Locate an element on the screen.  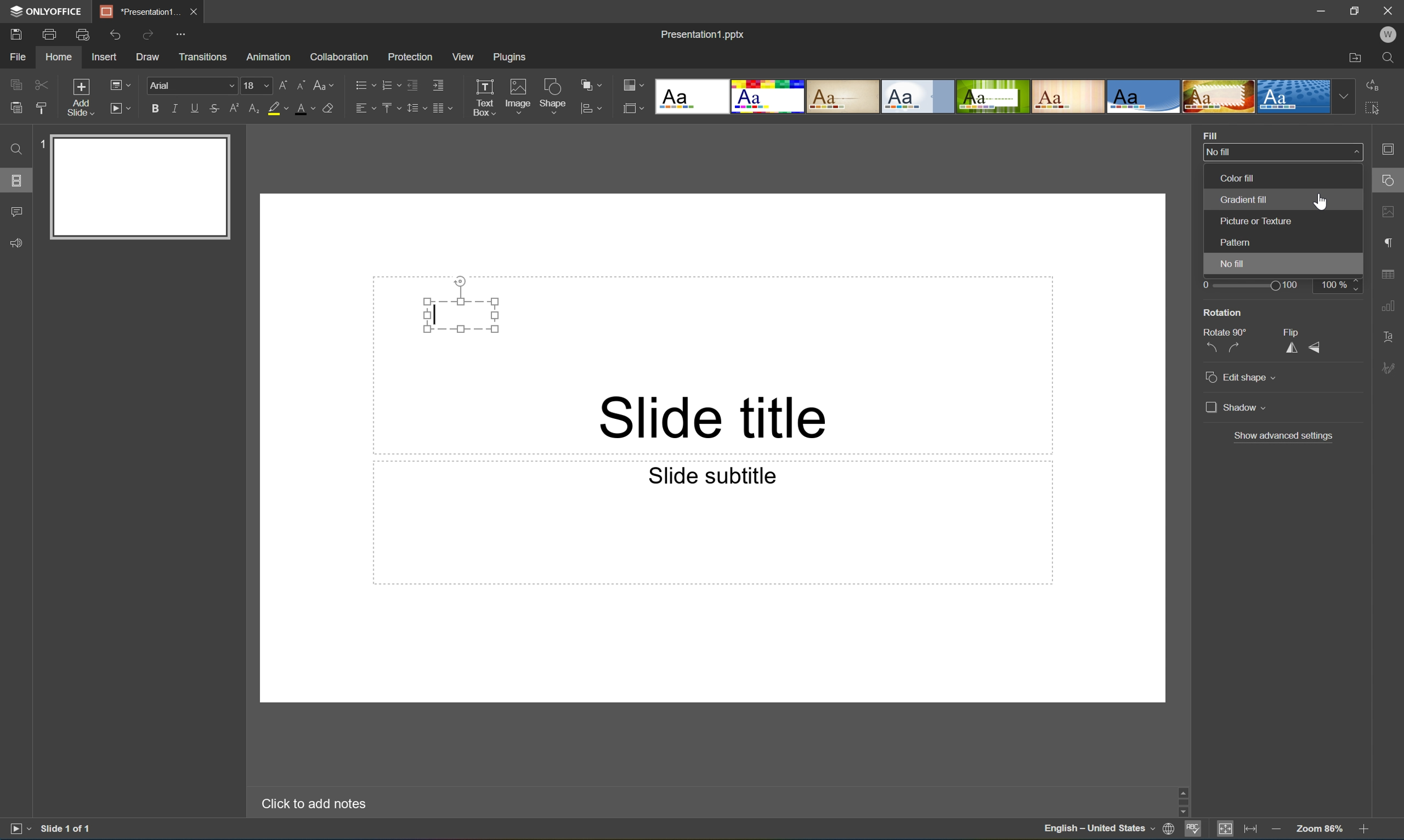
Drop Down is located at coordinates (1354, 152).